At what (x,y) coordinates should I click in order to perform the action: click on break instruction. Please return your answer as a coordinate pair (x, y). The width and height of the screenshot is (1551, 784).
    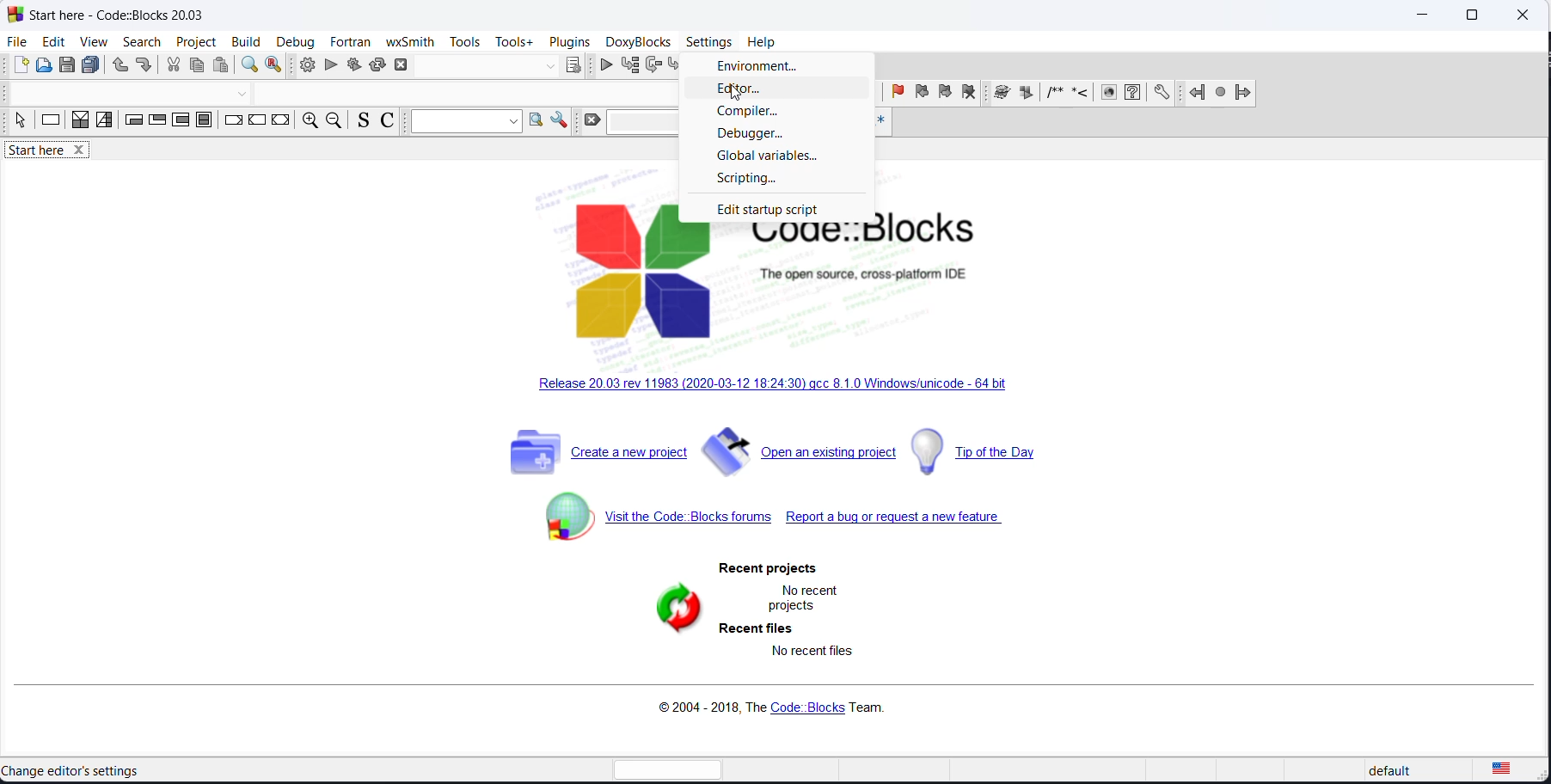
    Looking at the image, I should click on (231, 123).